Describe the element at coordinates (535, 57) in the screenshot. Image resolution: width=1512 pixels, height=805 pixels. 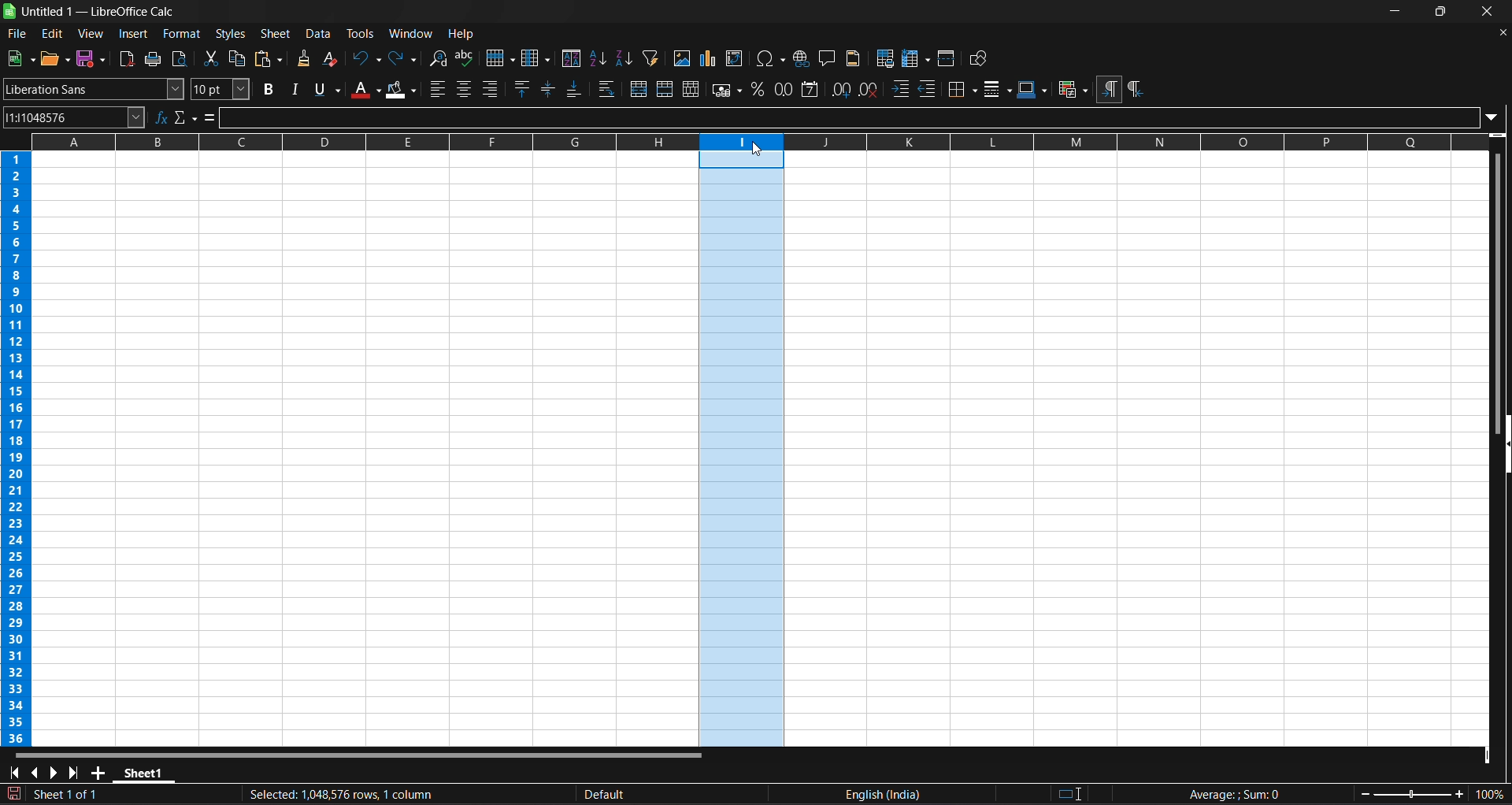
I see `columns` at that location.